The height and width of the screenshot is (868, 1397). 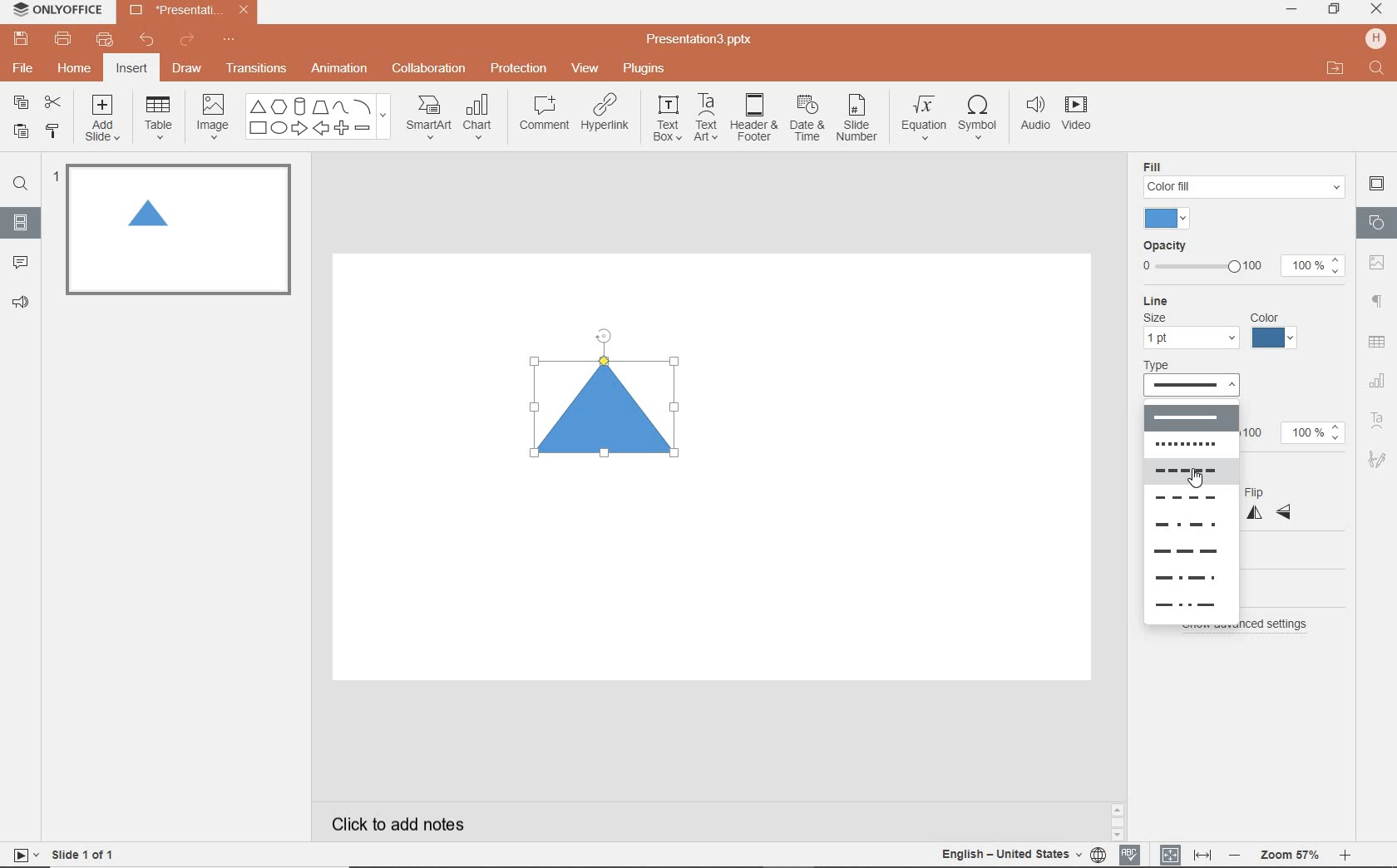 What do you see at coordinates (1237, 856) in the screenshot?
I see `zoom out` at bounding box center [1237, 856].